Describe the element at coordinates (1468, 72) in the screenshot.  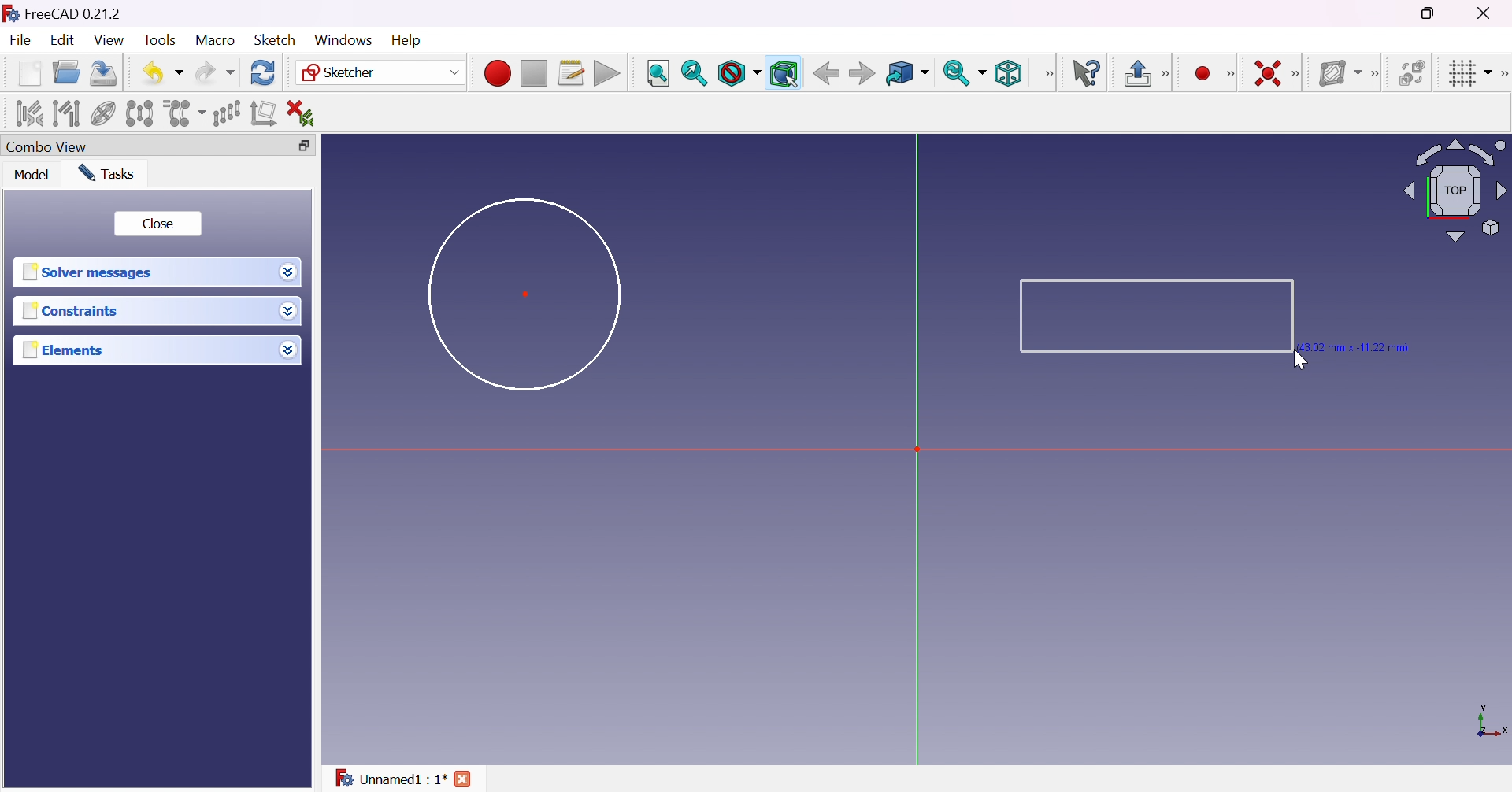
I see `Toggle grid` at that location.